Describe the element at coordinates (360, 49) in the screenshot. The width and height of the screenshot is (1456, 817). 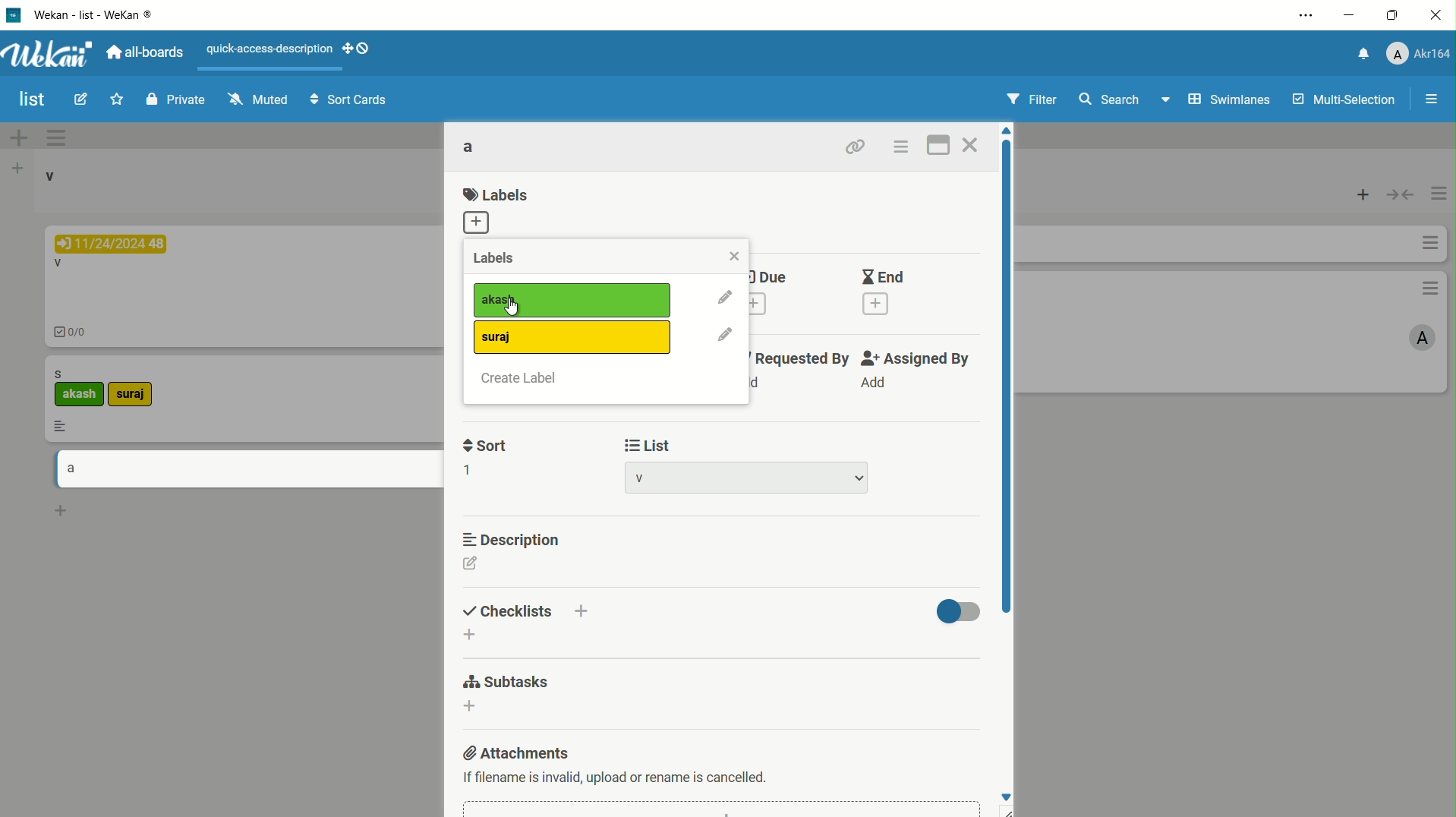
I see `show-desktop-drag-handles` at that location.